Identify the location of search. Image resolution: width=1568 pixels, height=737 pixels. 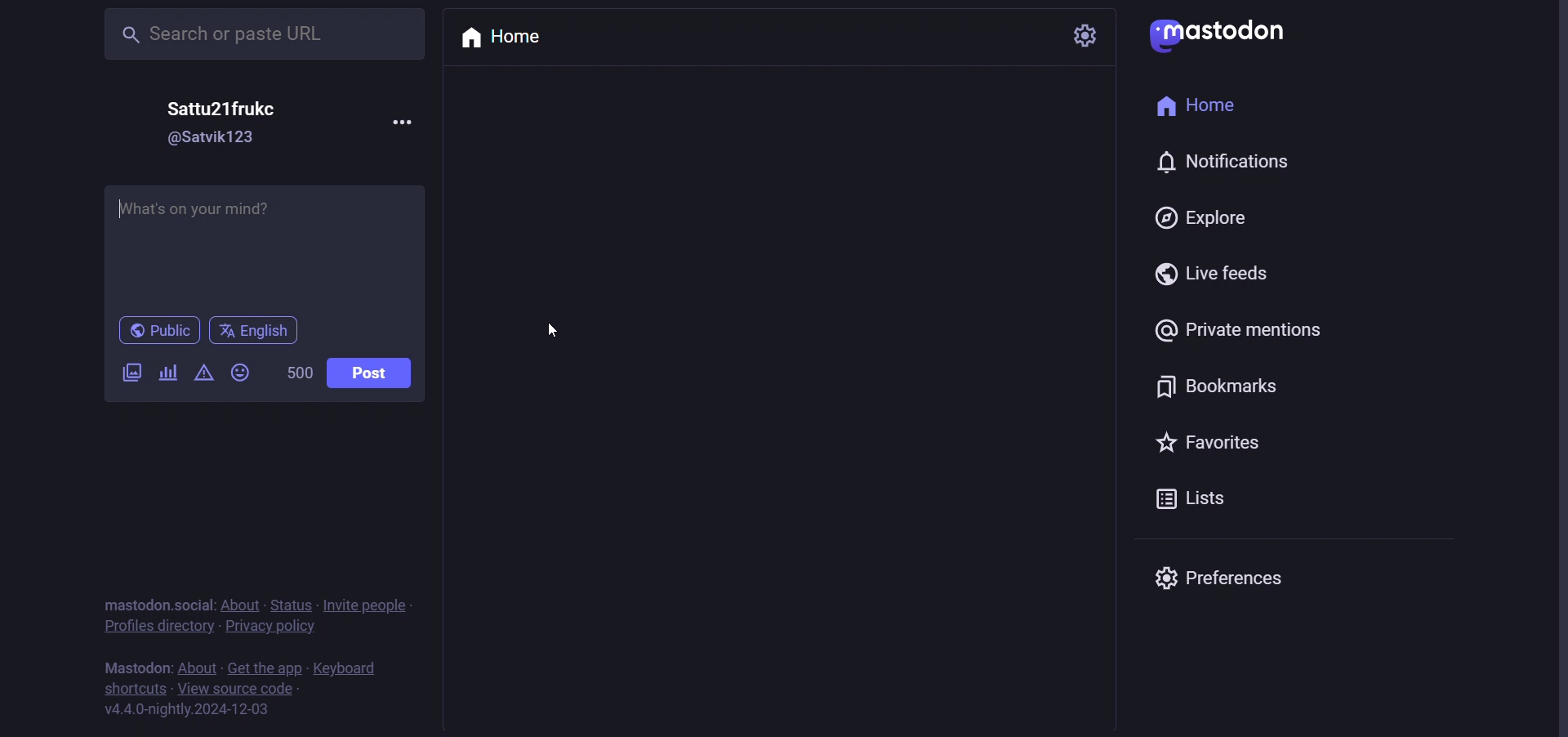
(262, 35).